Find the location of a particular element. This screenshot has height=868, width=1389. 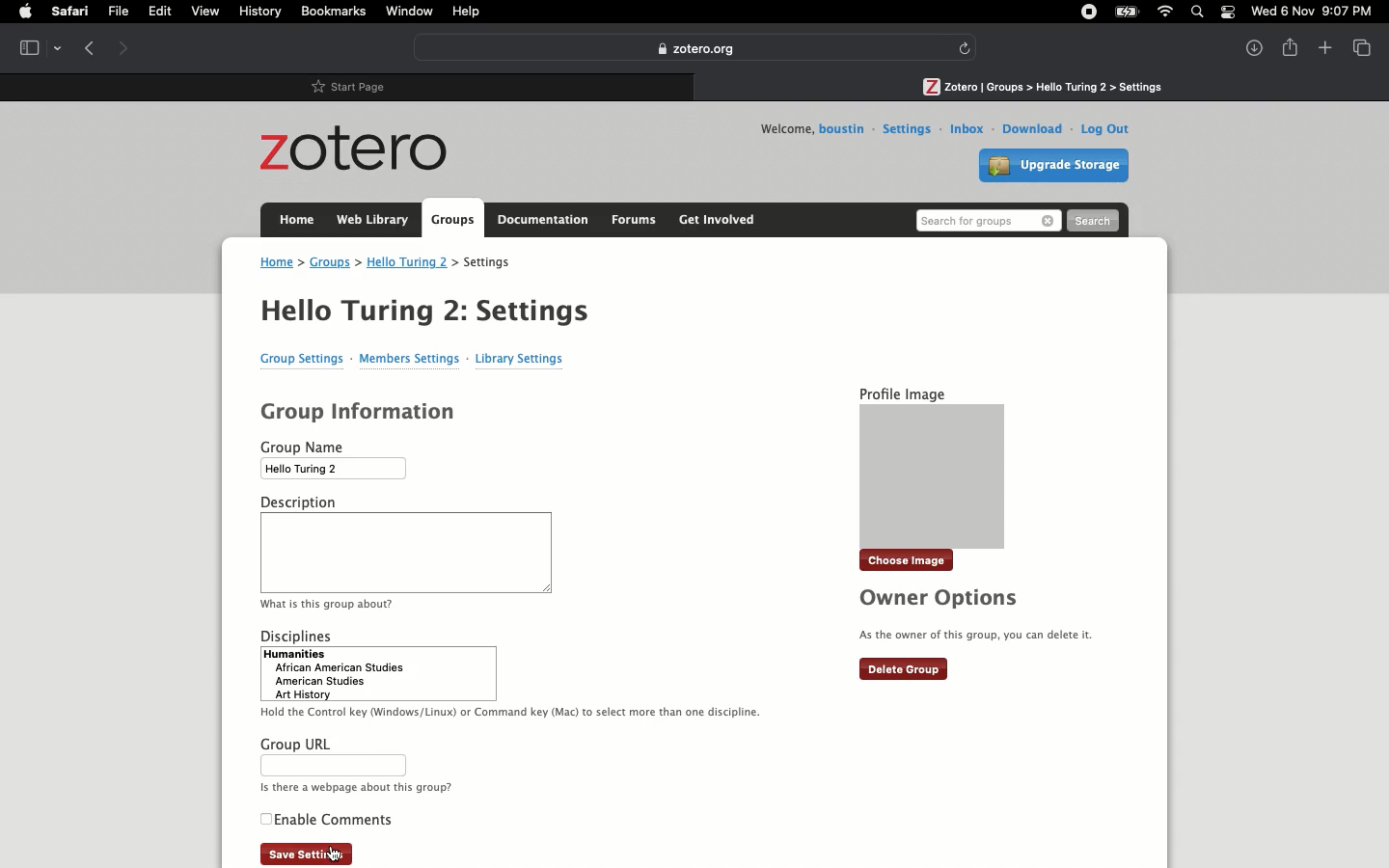

View is located at coordinates (1360, 46).